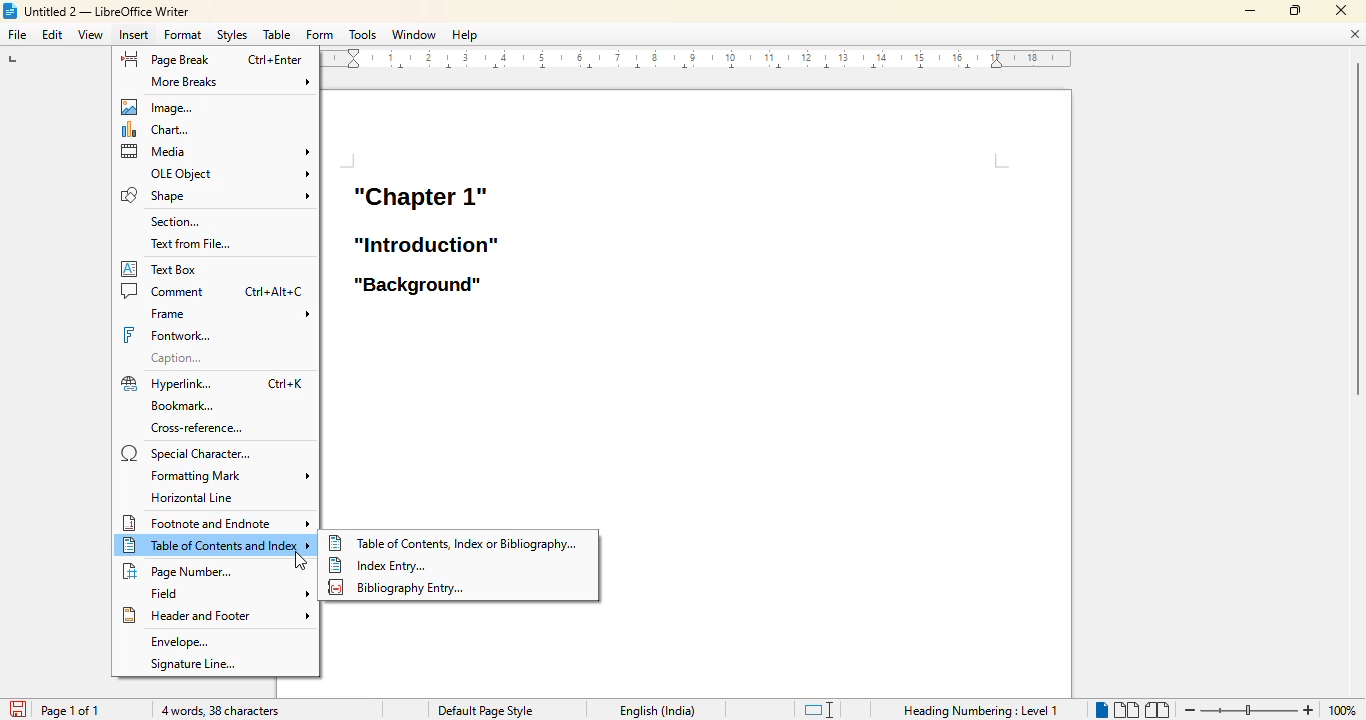 The image size is (1366, 720). I want to click on footnote and endnote, so click(218, 522).